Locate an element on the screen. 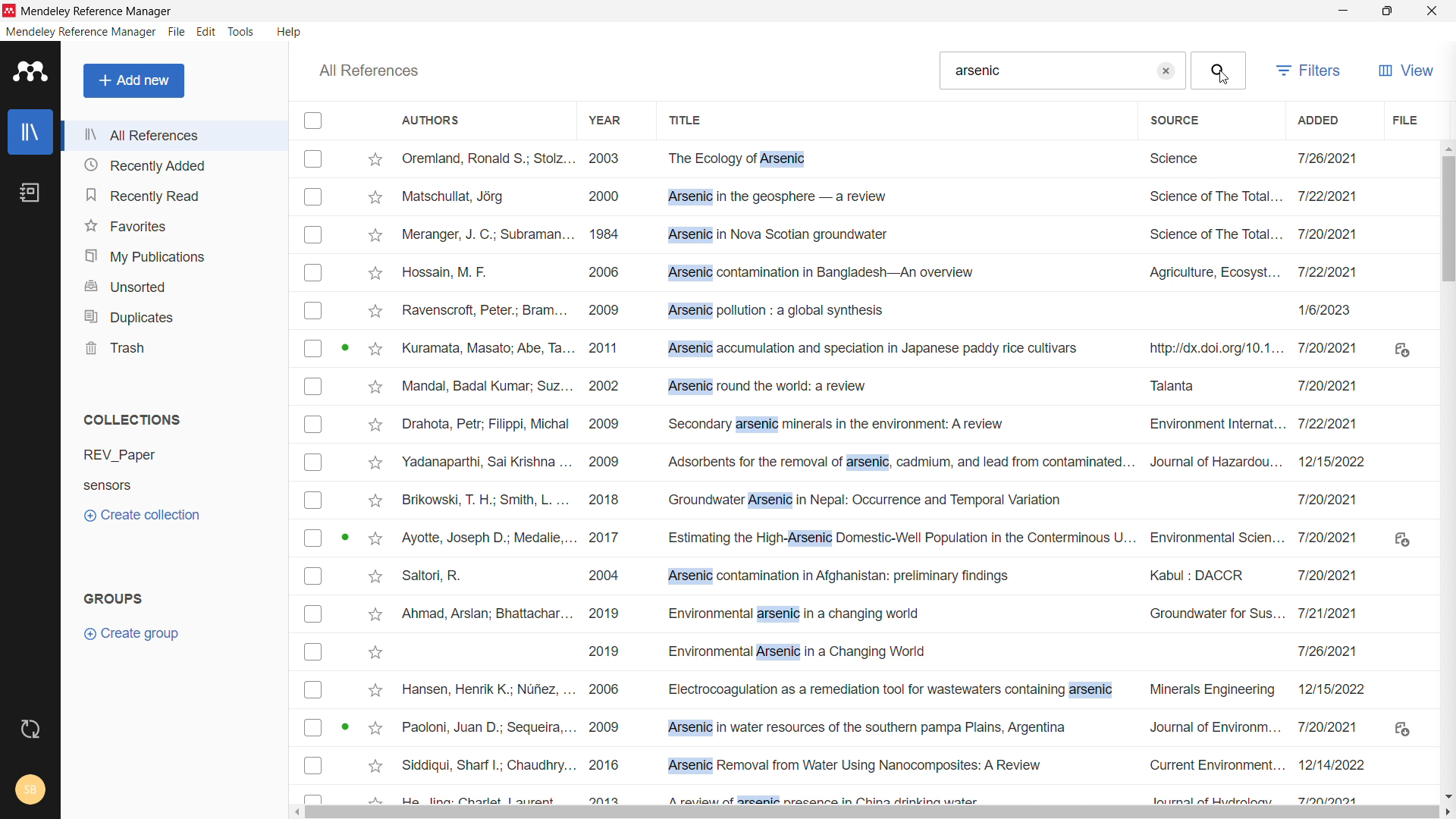  Paoloni, Juan D.; Sequeira,... 2009 Arsenic in water resources of the southern pampa Plains, Argentina Journal of Environm... 7/20/2021 is located at coordinates (879, 726).